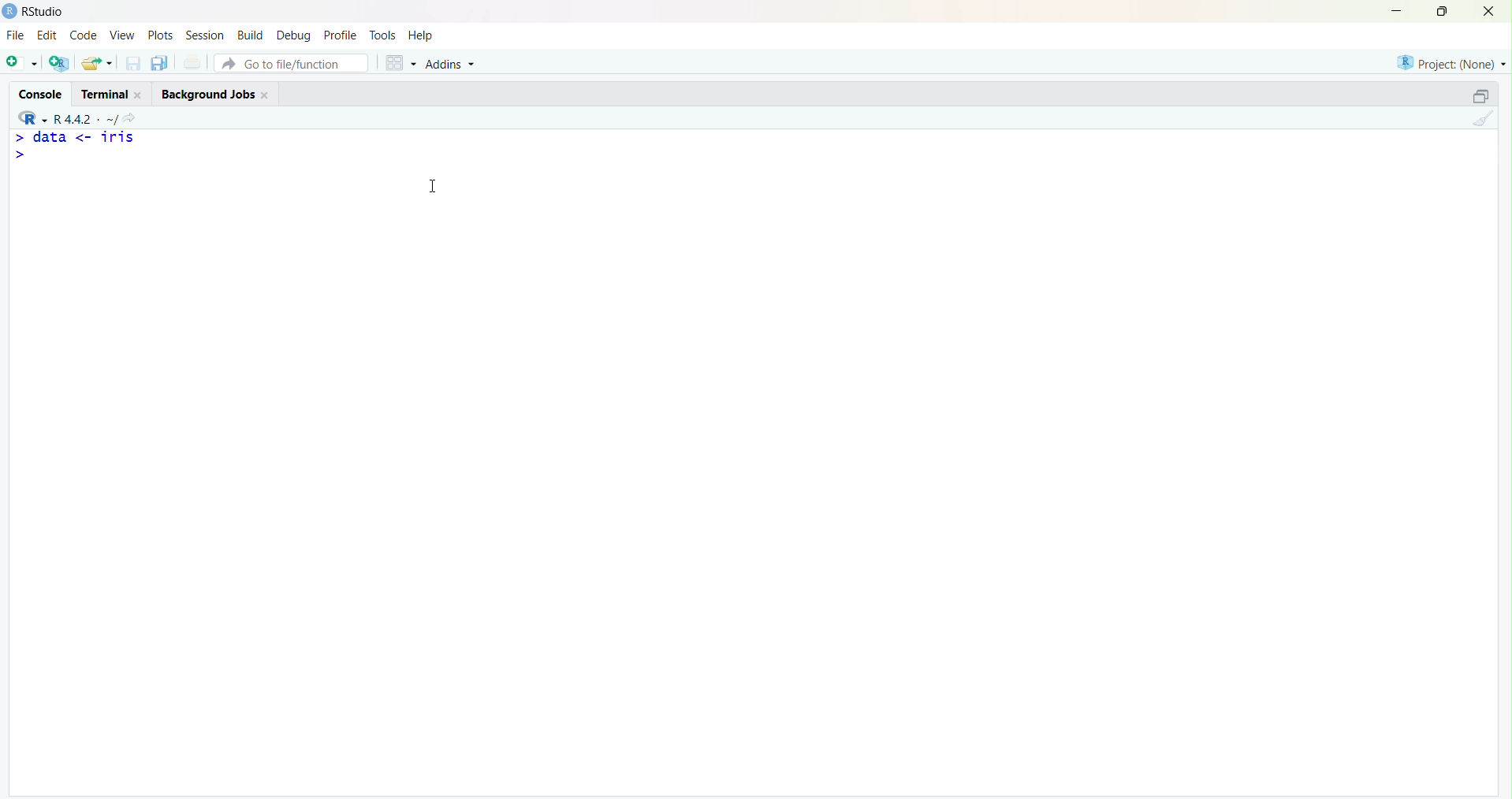 The height and width of the screenshot is (799, 1512). Describe the element at coordinates (1398, 10) in the screenshot. I see `Minimize` at that location.